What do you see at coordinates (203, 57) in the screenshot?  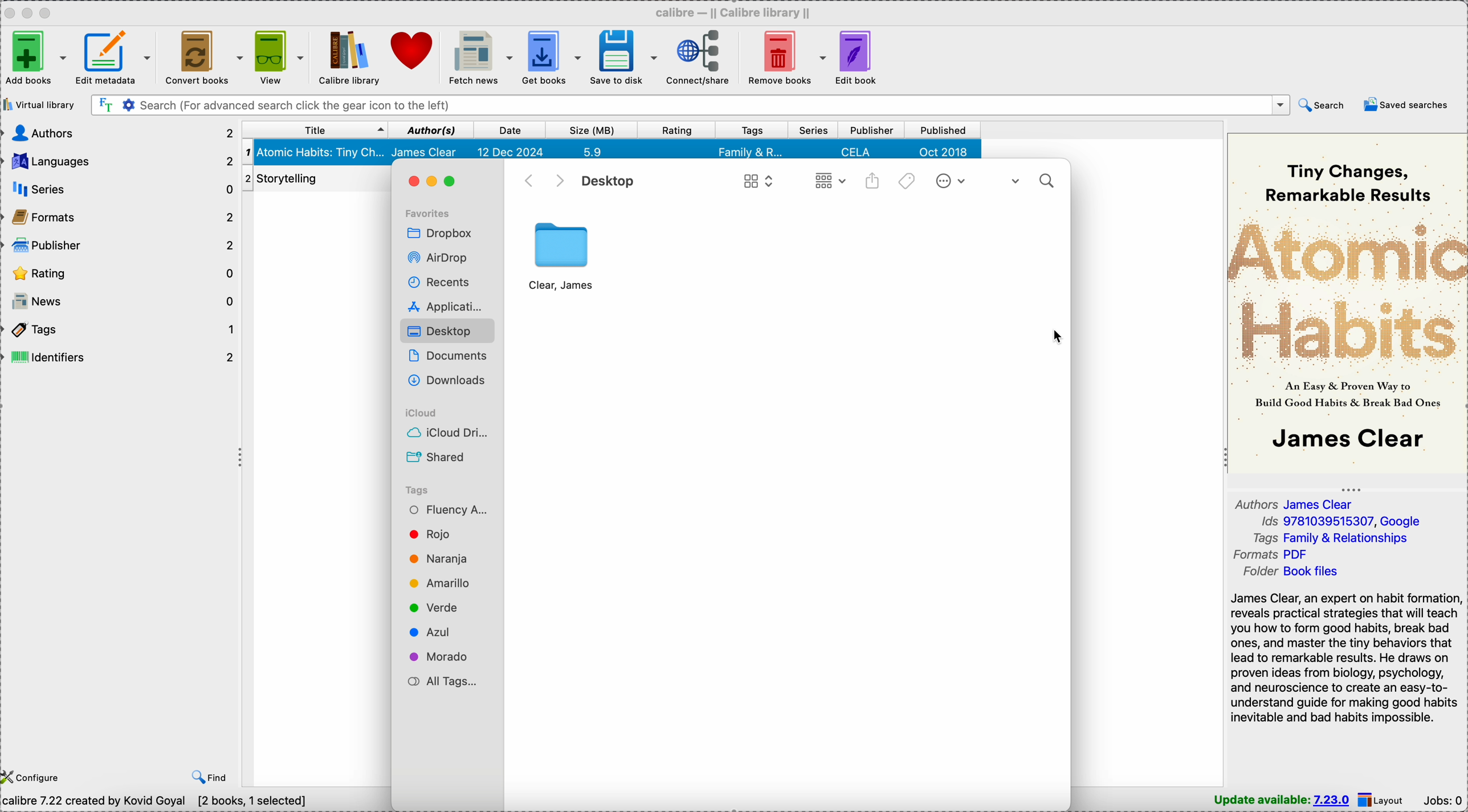 I see `convert books` at bounding box center [203, 57].